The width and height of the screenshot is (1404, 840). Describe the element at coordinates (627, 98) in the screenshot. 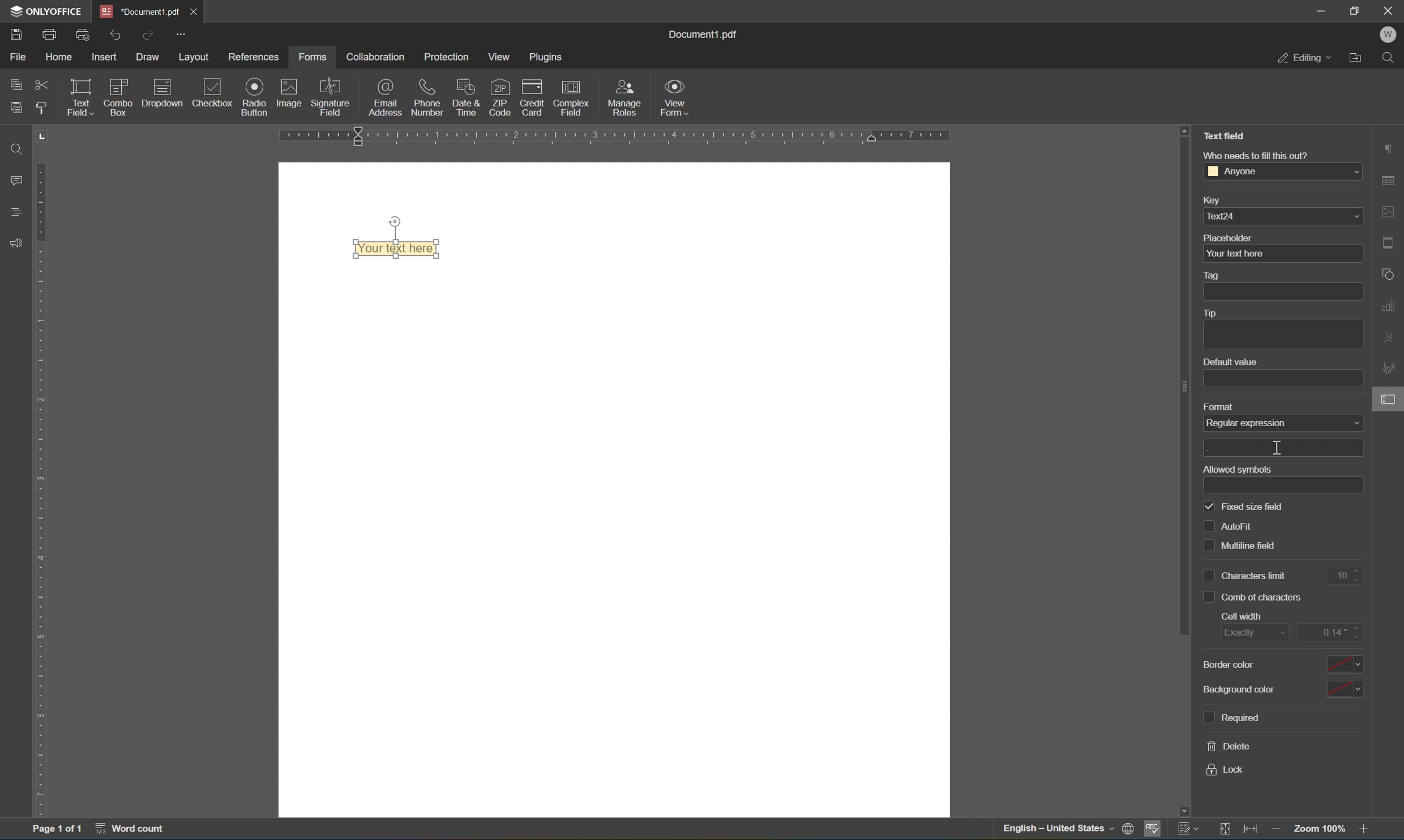

I see `manage roles` at that location.